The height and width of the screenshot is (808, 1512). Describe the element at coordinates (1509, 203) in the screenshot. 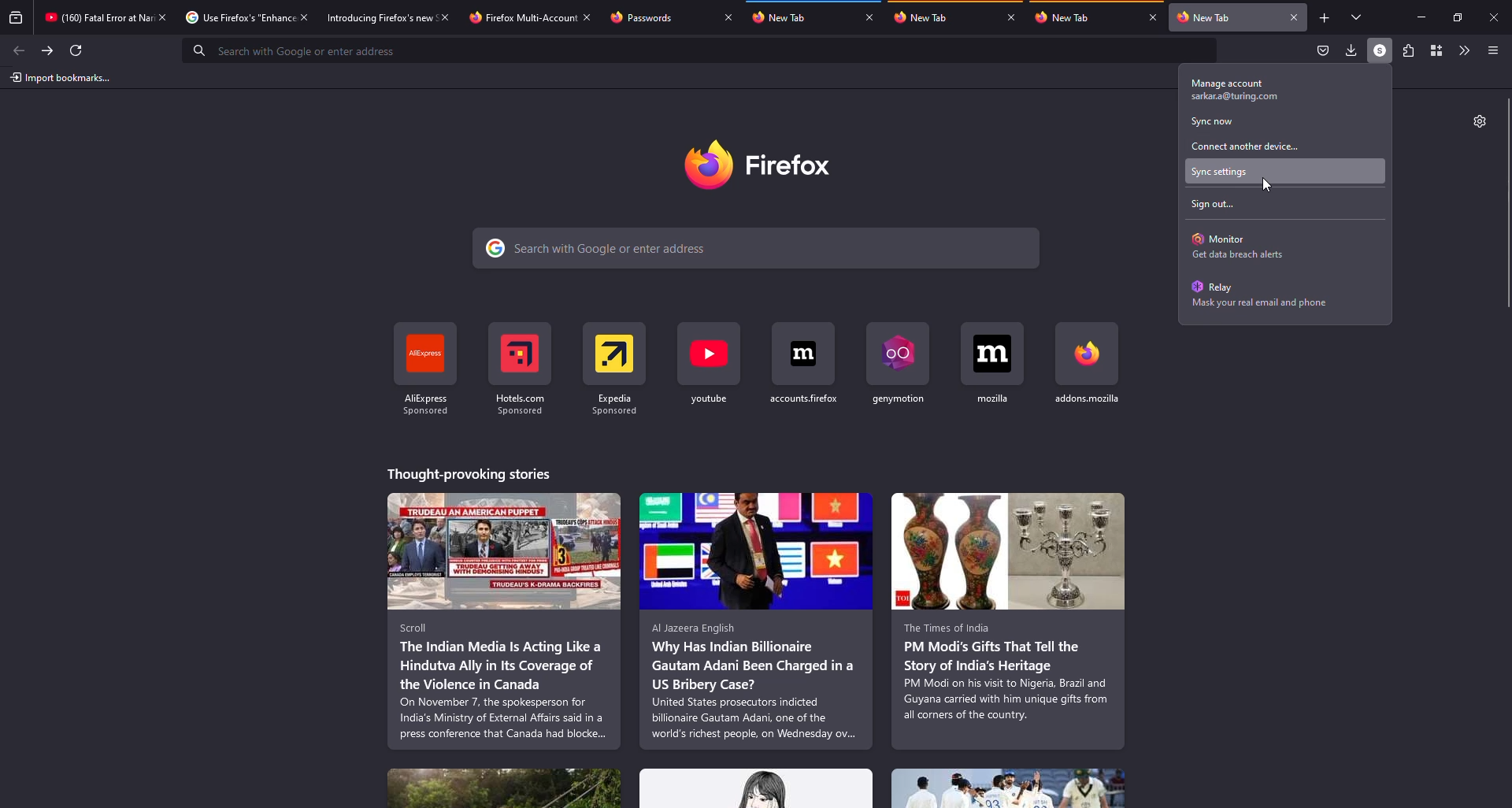

I see `scroll bar` at that location.